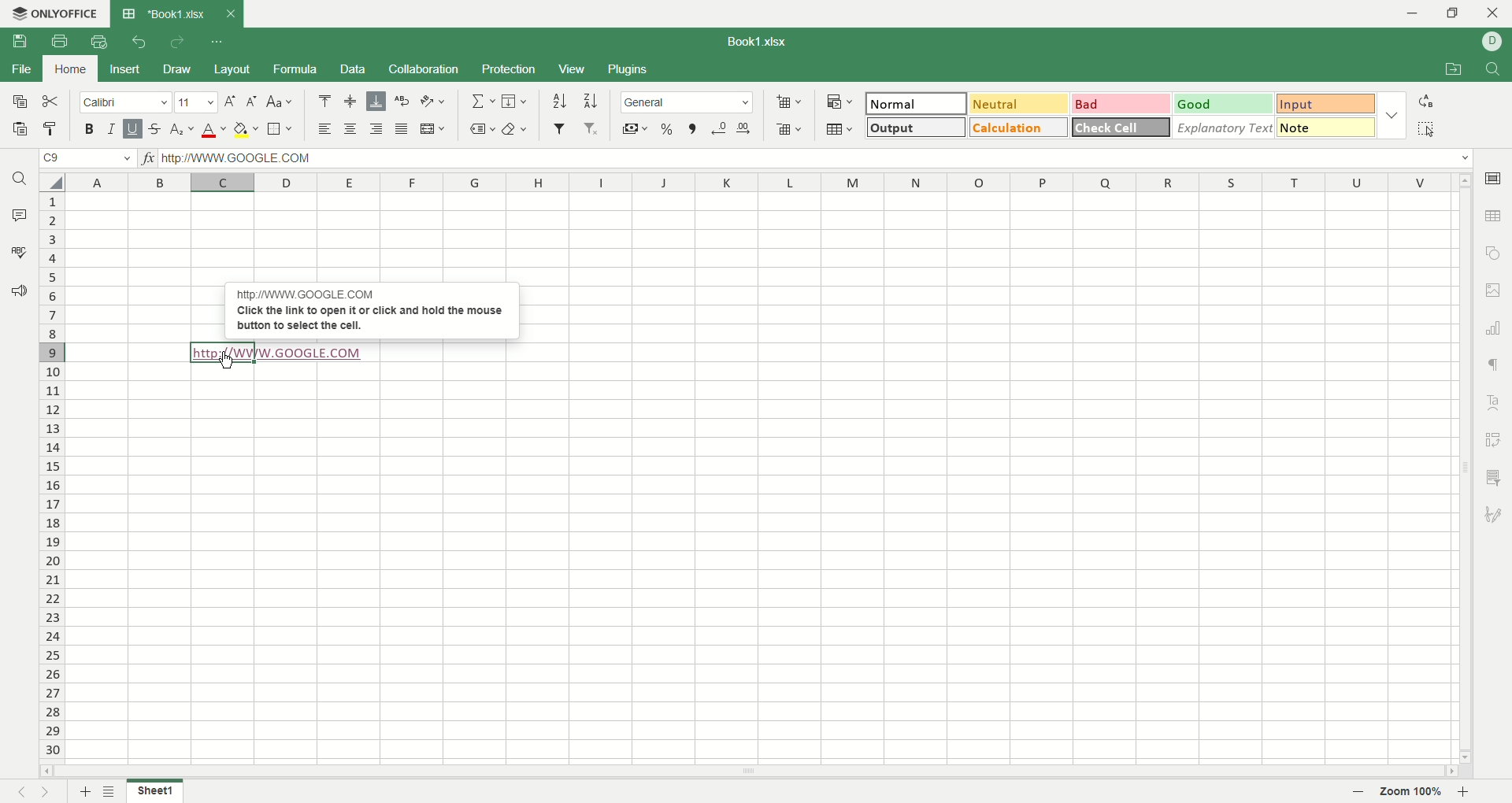  What do you see at coordinates (219, 40) in the screenshot?
I see `quick settings` at bounding box center [219, 40].